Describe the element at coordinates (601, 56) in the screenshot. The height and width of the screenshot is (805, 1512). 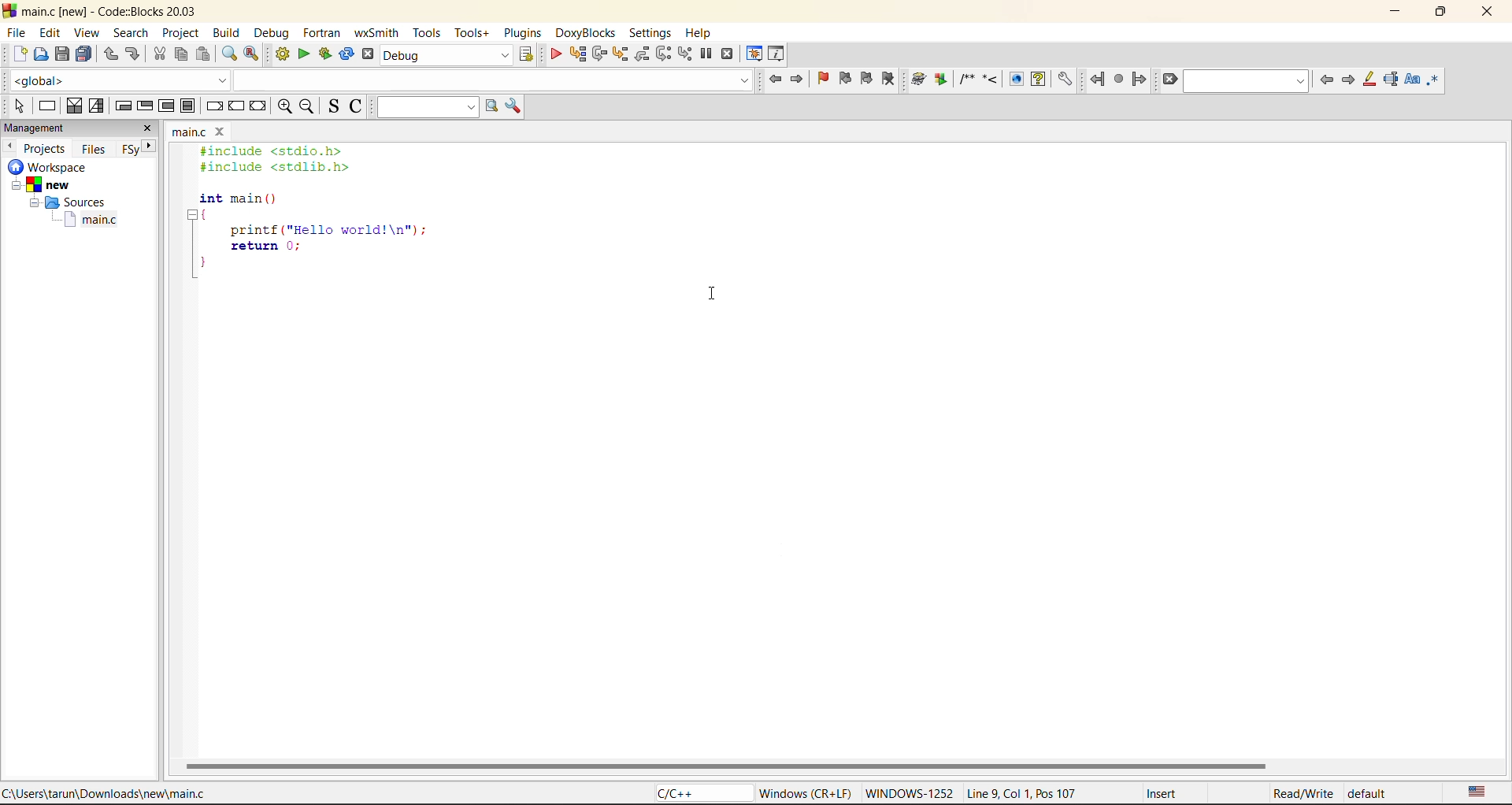
I see `next line` at that location.